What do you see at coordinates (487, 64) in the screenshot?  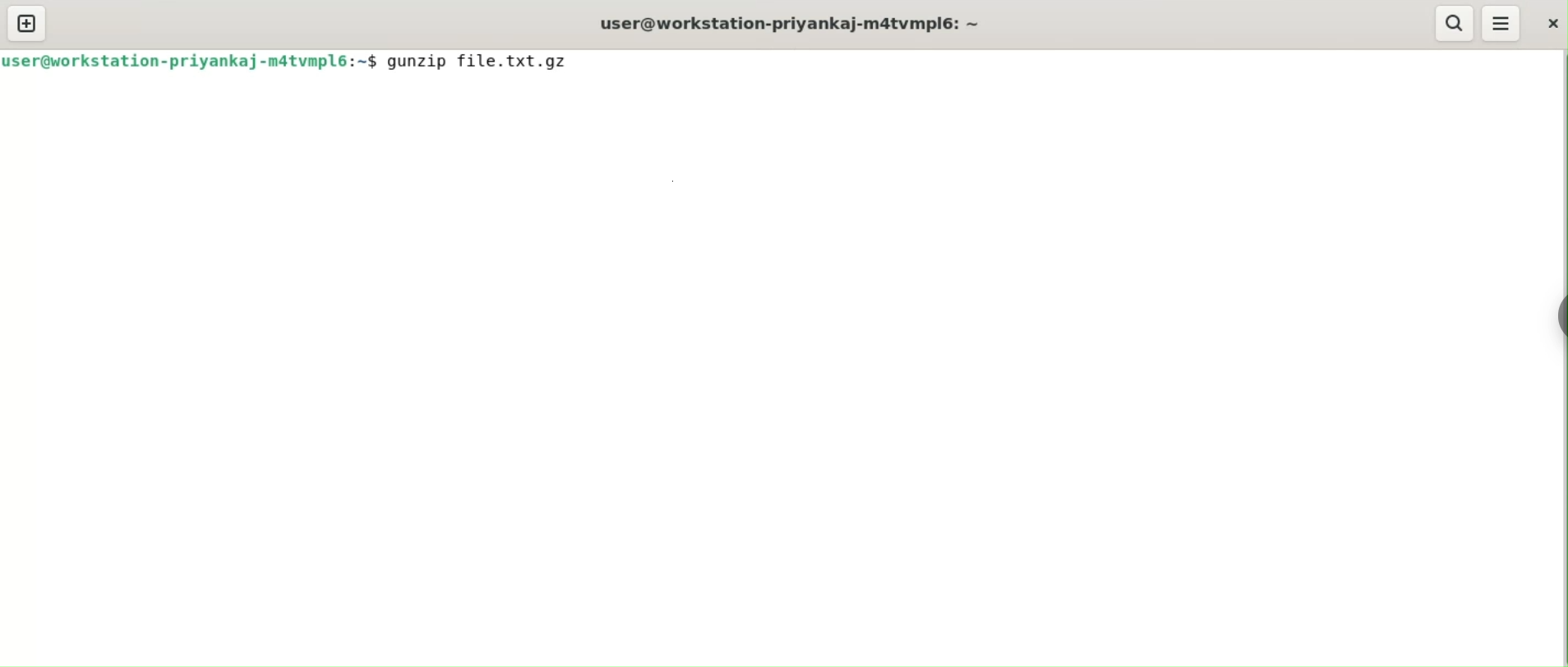 I see `gunzip file.txt.gz` at bounding box center [487, 64].